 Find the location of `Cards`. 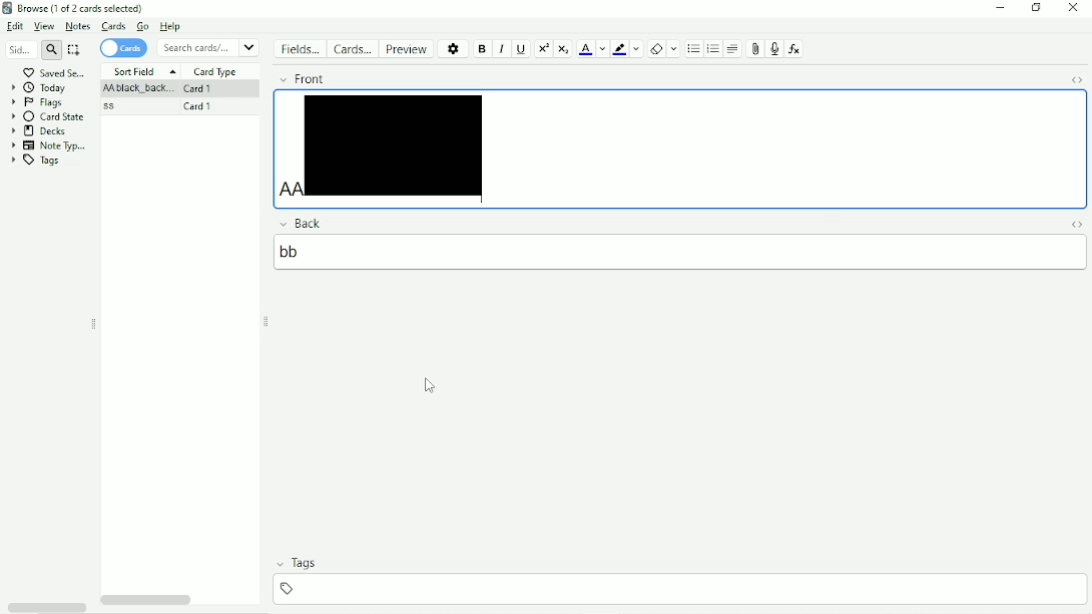

Cards is located at coordinates (112, 27).